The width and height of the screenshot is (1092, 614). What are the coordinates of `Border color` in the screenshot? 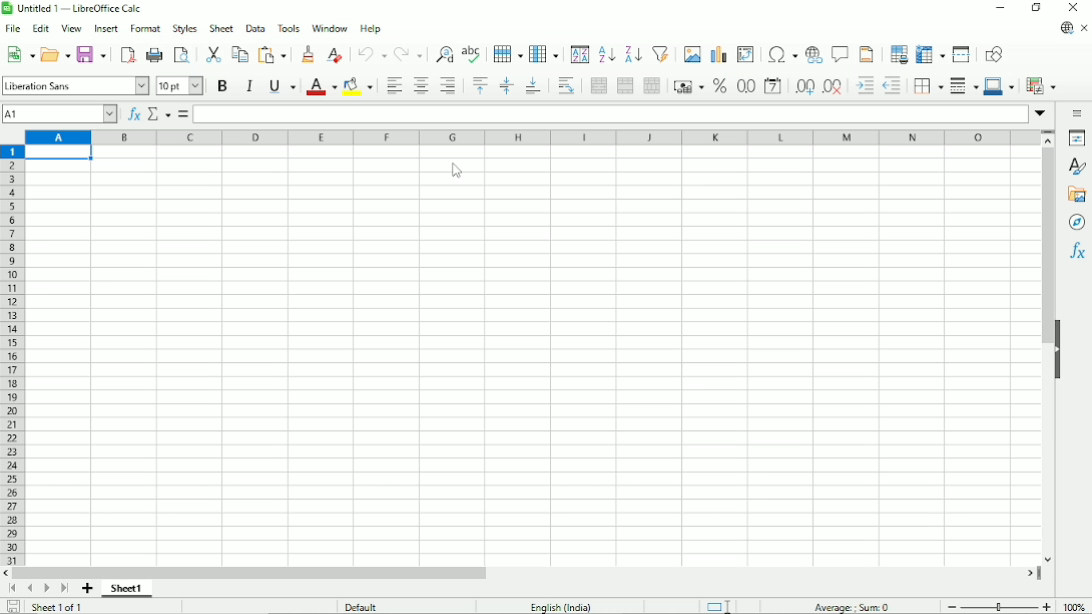 It's located at (999, 86).